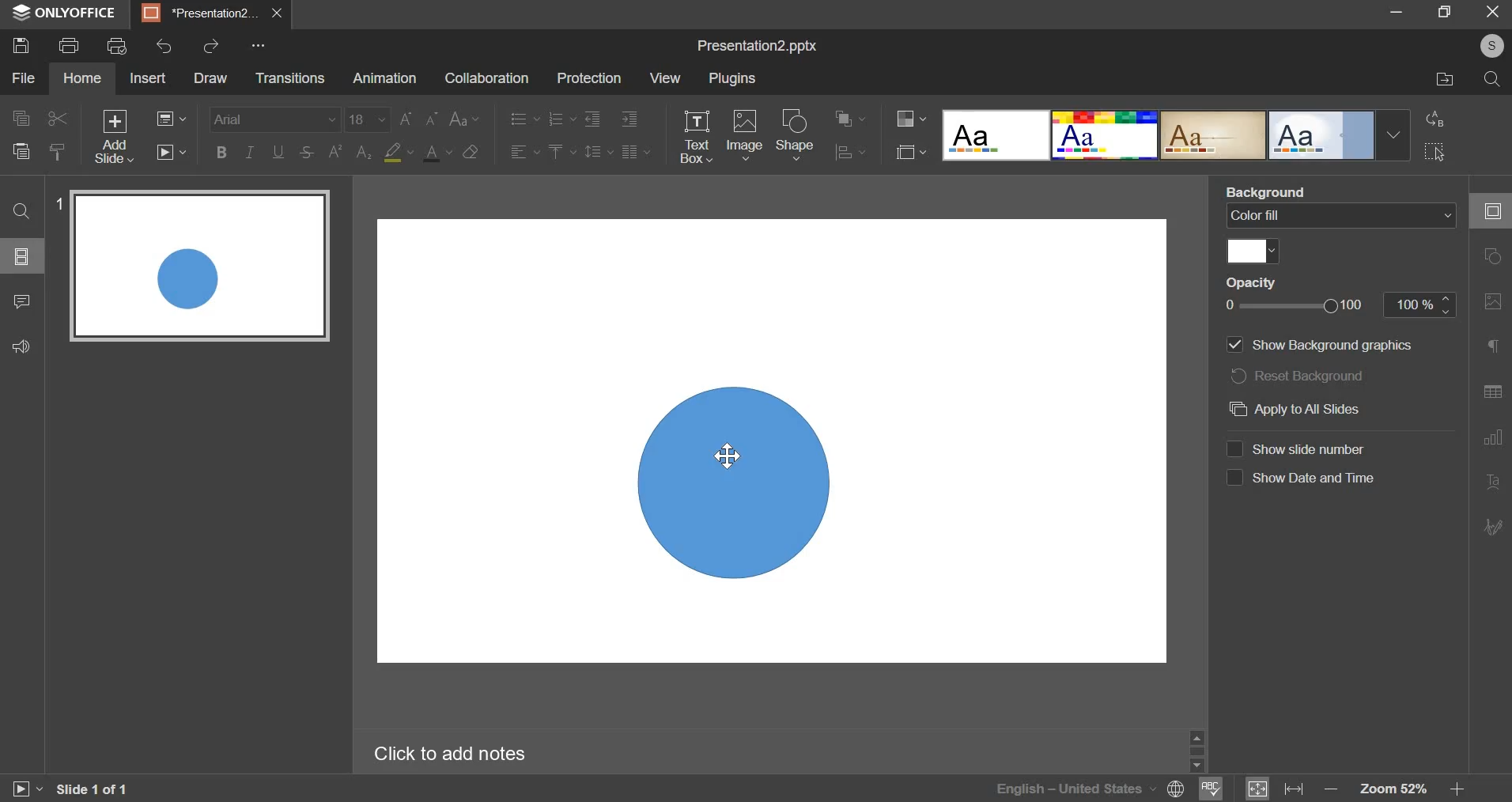 This screenshot has width=1512, height=802. What do you see at coordinates (171, 153) in the screenshot?
I see `start slideshow` at bounding box center [171, 153].